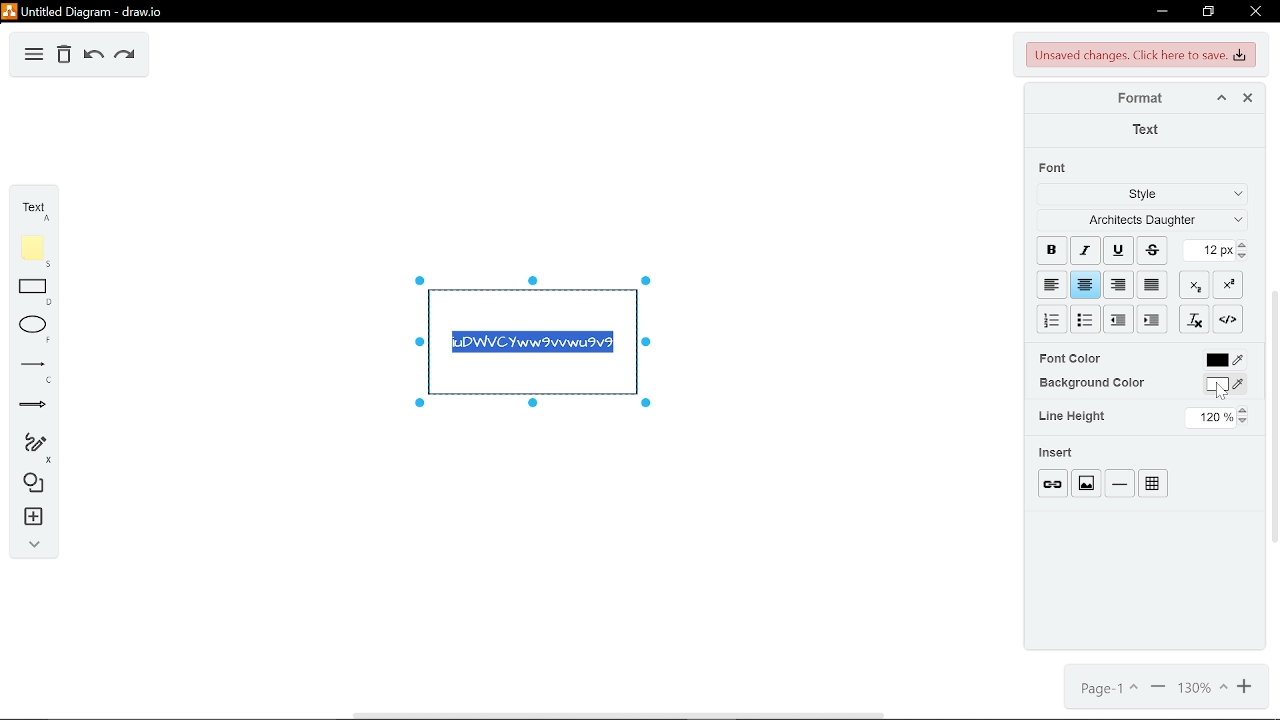 The height and width of the screenshot is (720, 1280). I want to click on numbered list, so click(1052, 319).